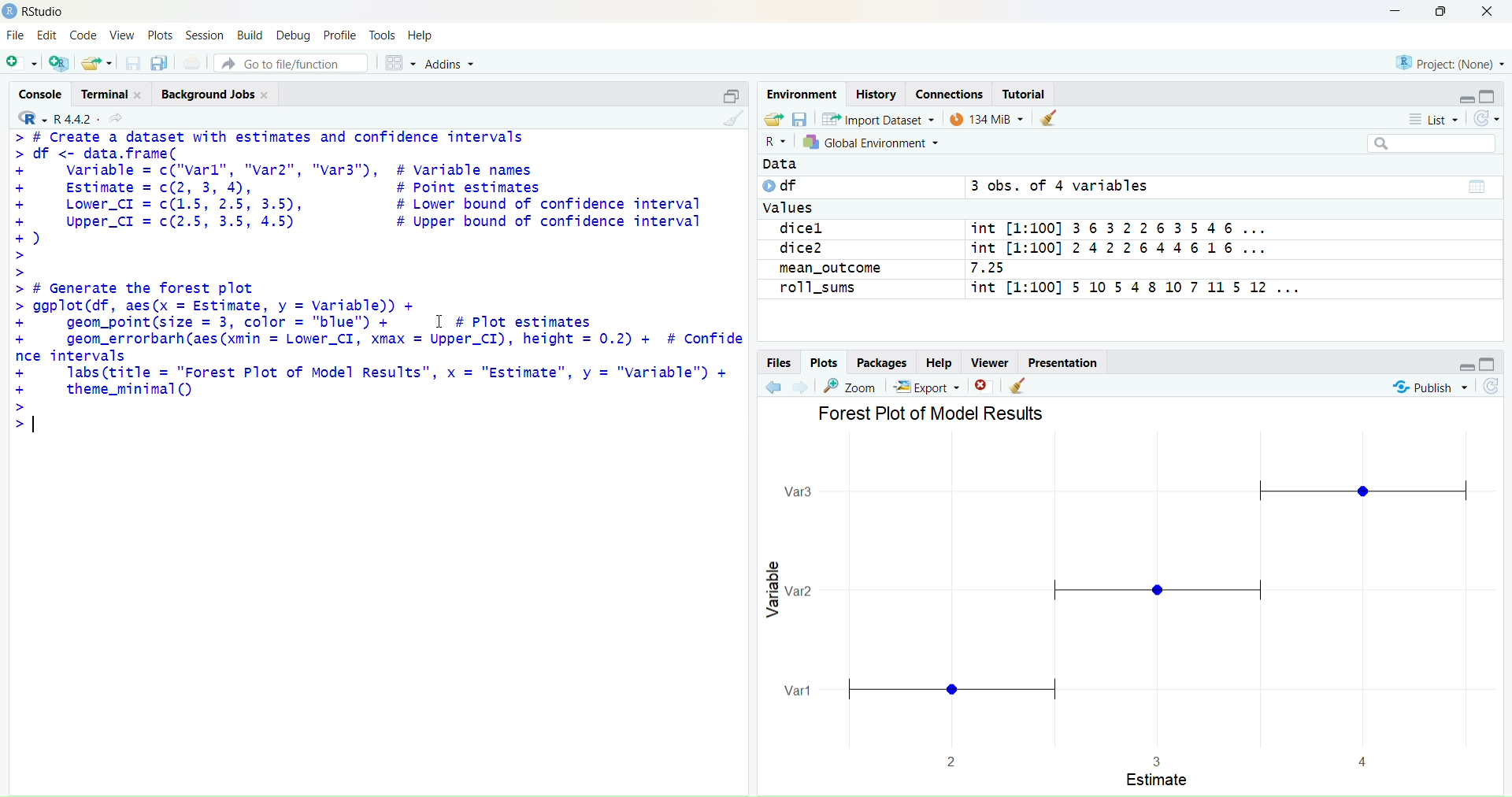 The image size is (1512, 797). What do you see at coordinates (773, 387) in the screenshot?
I see `back` at bounding box center [773, 387].